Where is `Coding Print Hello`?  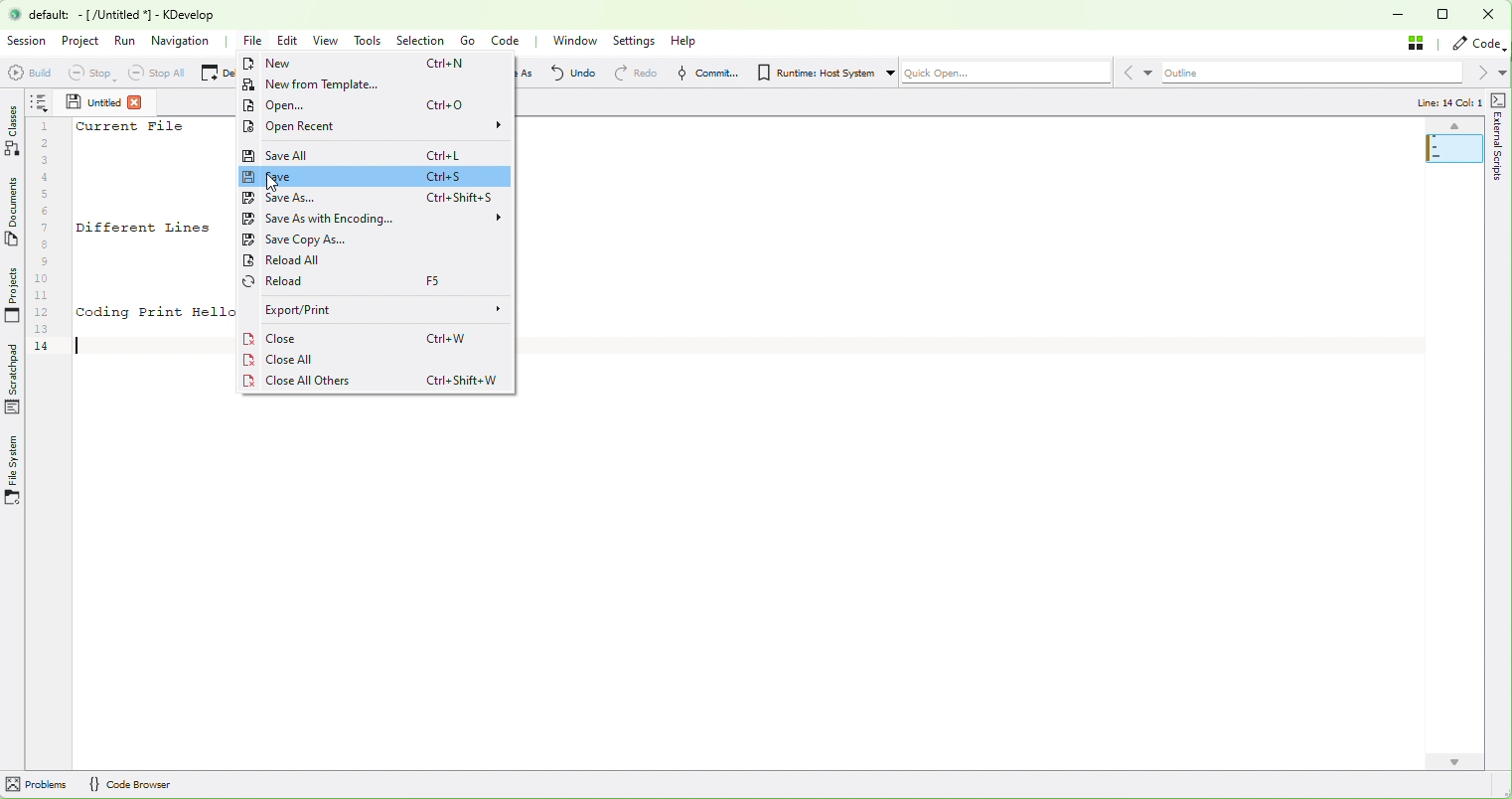 Coding Print Hello is located at coordinates (158, 312).